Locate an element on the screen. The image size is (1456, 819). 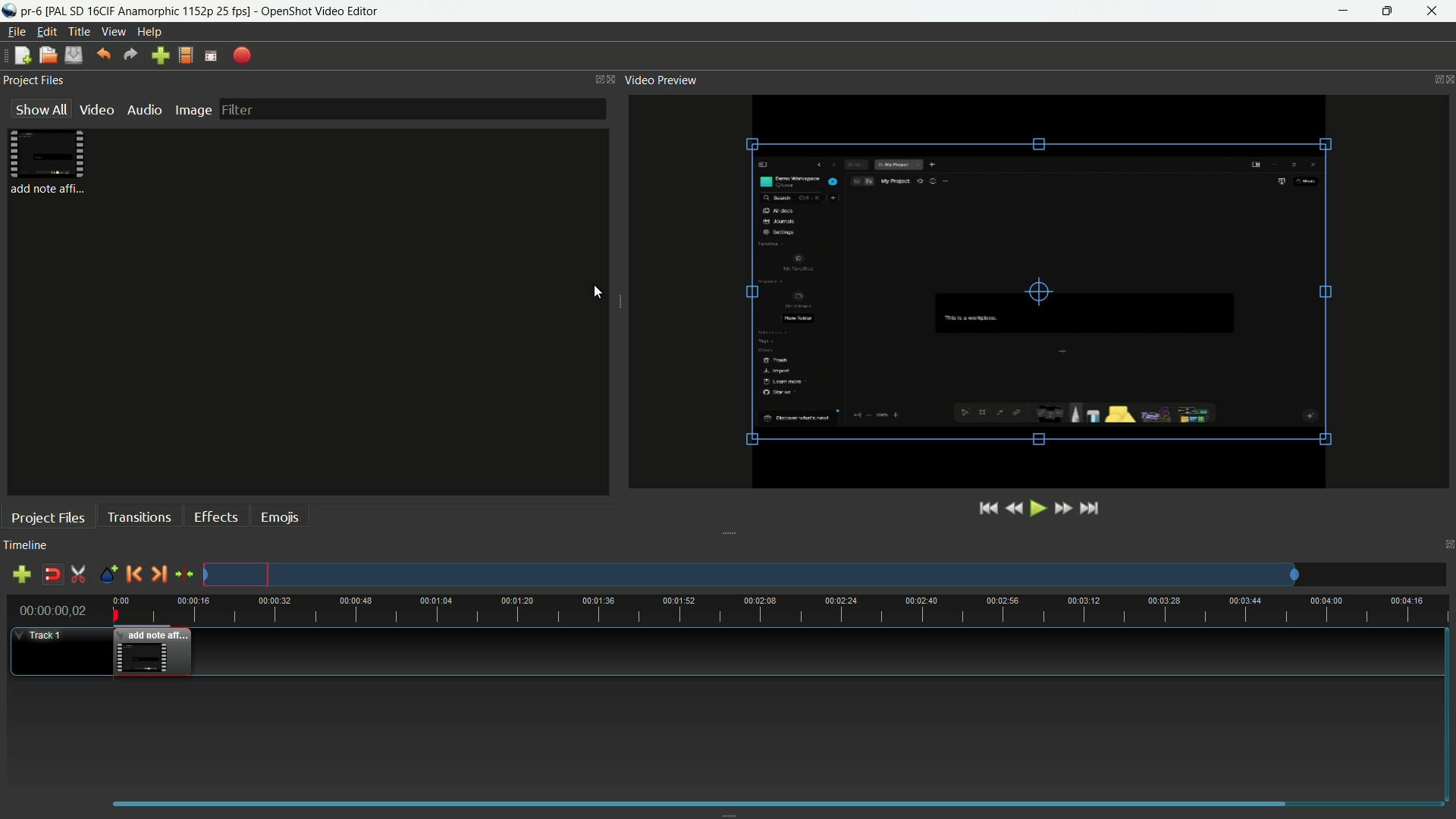
disable snap is located at coordinates (51, 575).